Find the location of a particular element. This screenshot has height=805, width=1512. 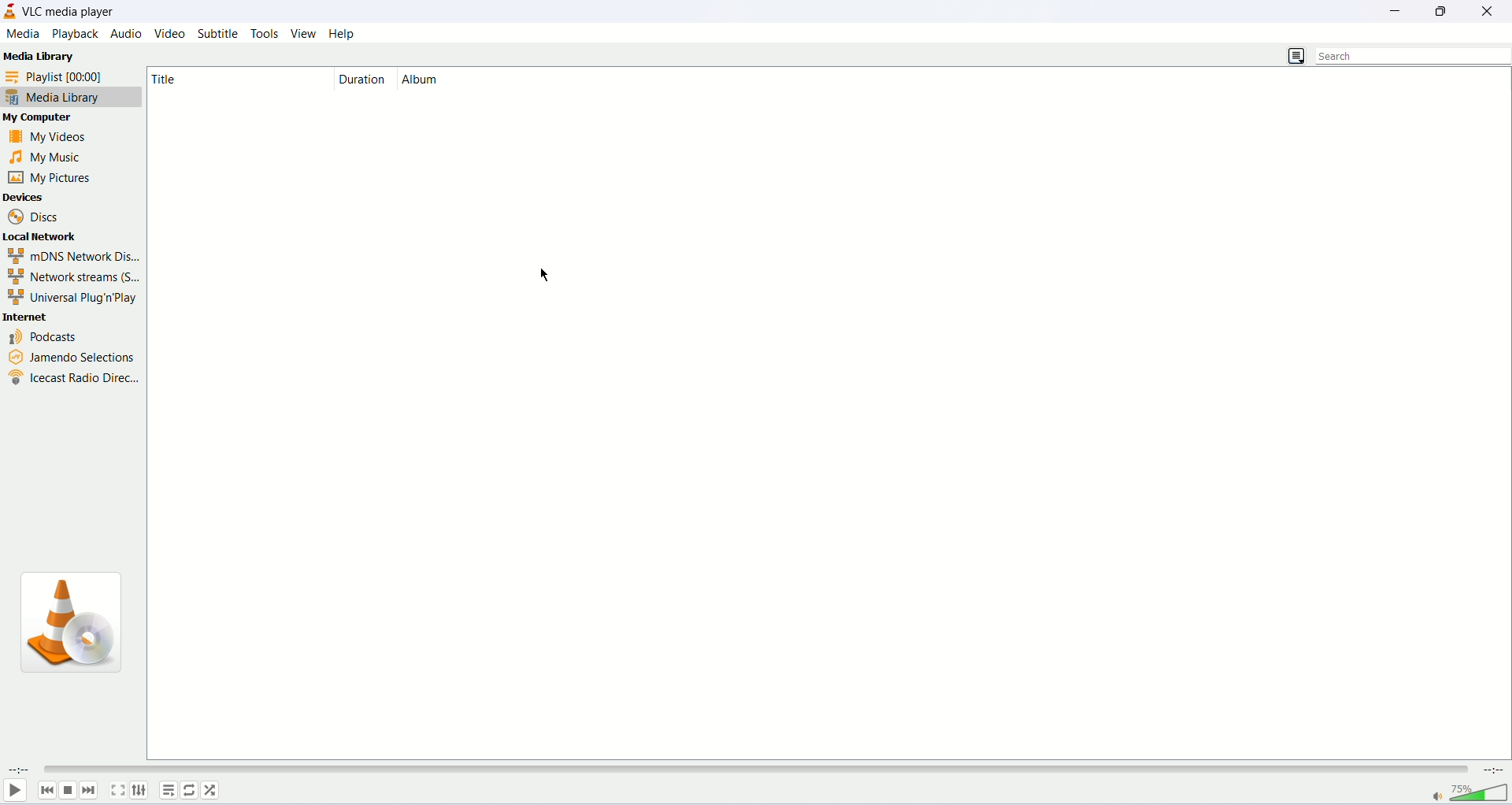

fullscreen is located at coordinates (119, 791).